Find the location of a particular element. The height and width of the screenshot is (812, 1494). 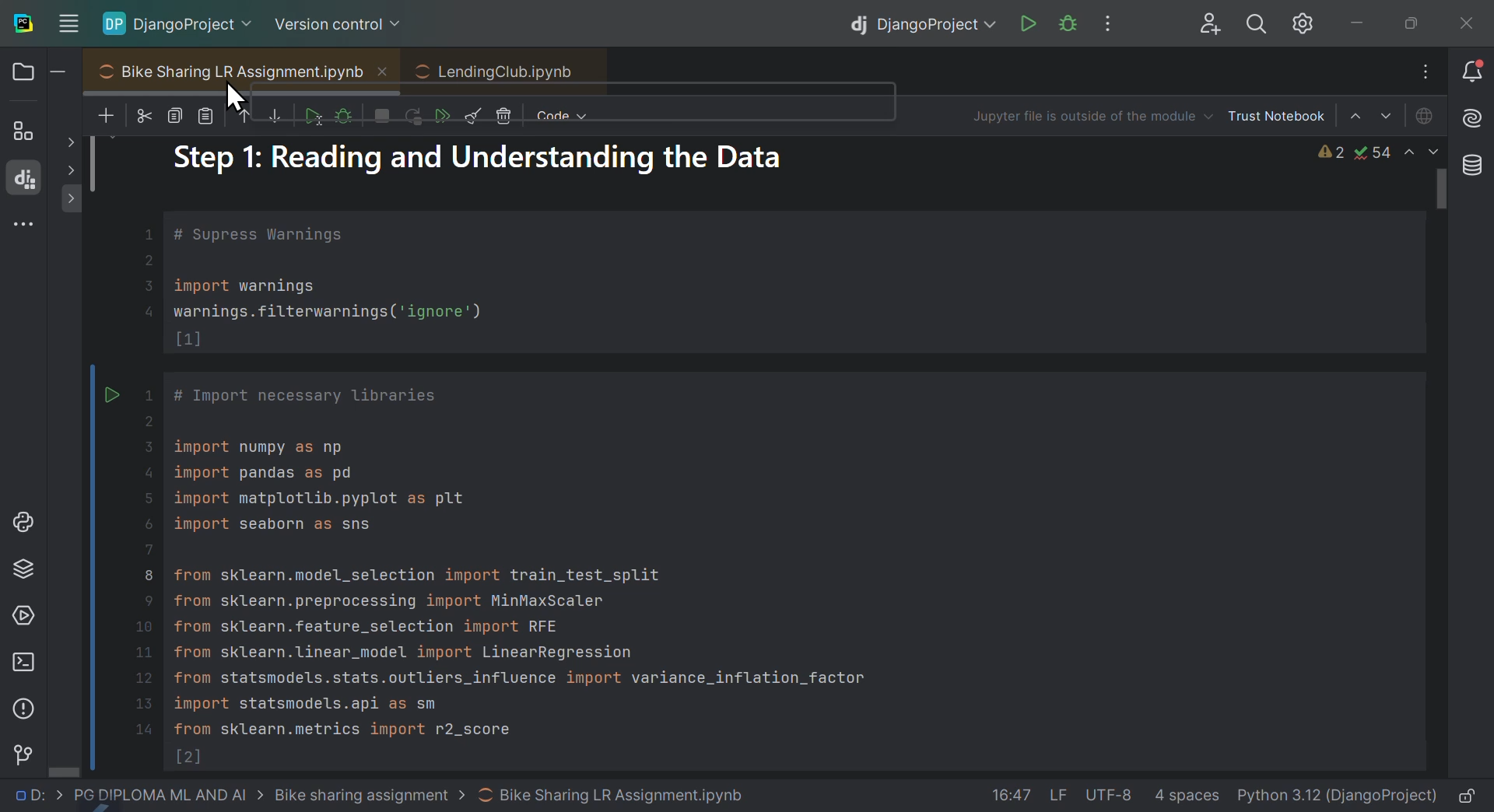

show is located at coordinates (72, 170).